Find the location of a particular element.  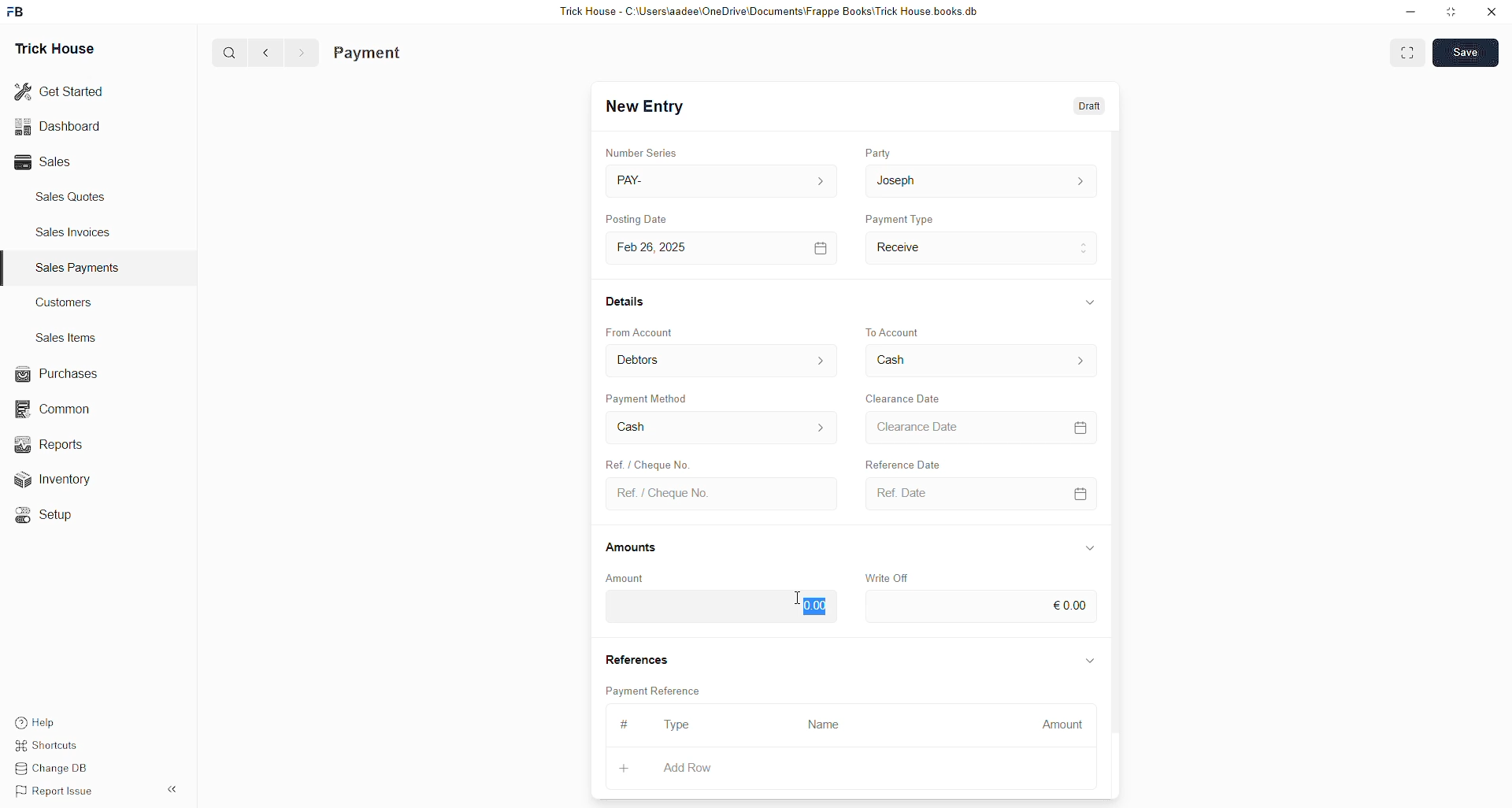

Save is located at coordinates (1465, 52).